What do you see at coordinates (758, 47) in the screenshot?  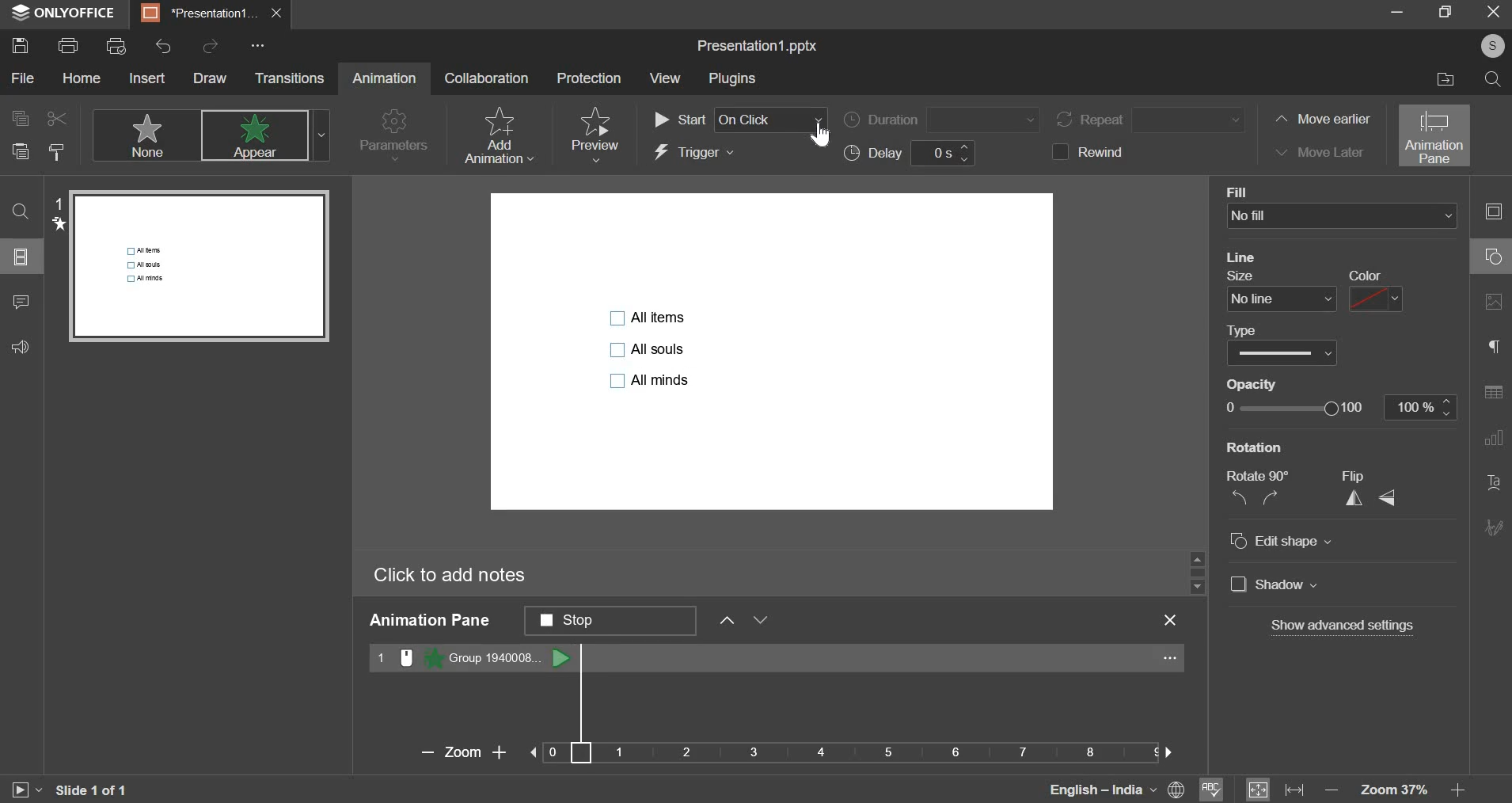 I see `file name` at bounding box center [758, 47].